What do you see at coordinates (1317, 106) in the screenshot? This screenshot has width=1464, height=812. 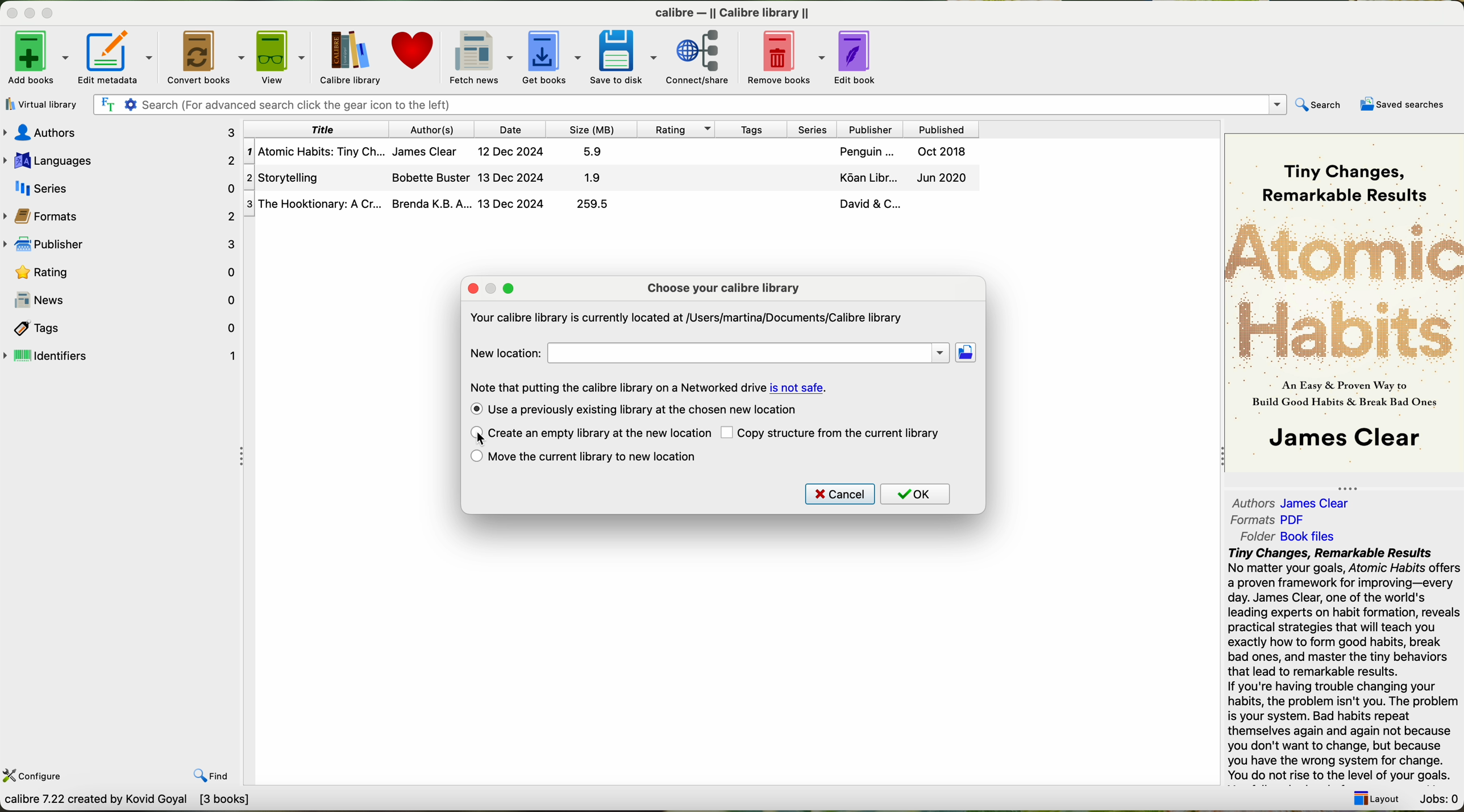 I see `search` at bounding box center [1317, 106].